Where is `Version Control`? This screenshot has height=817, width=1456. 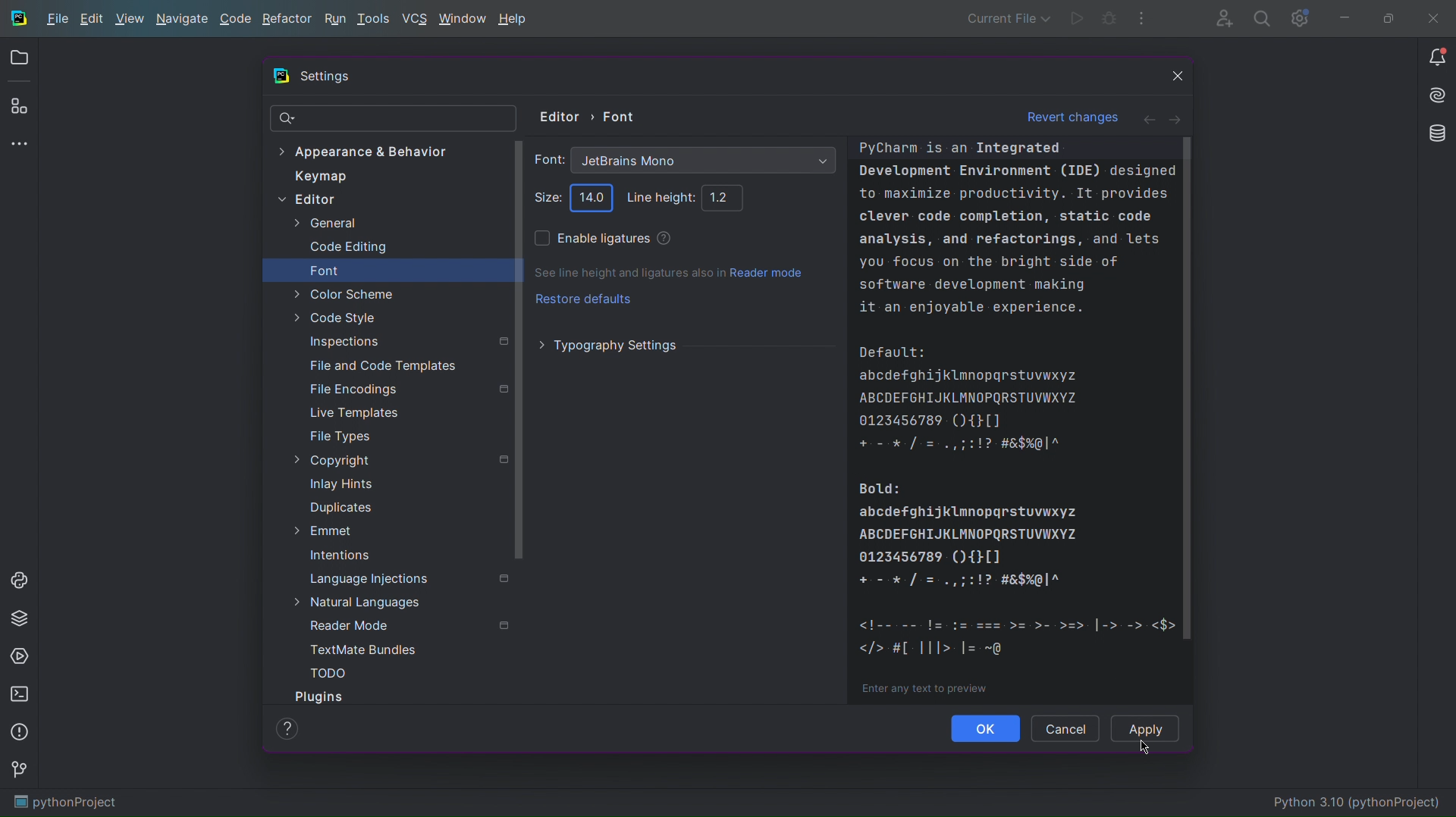
Version Control is located at coordinates (22, 773).